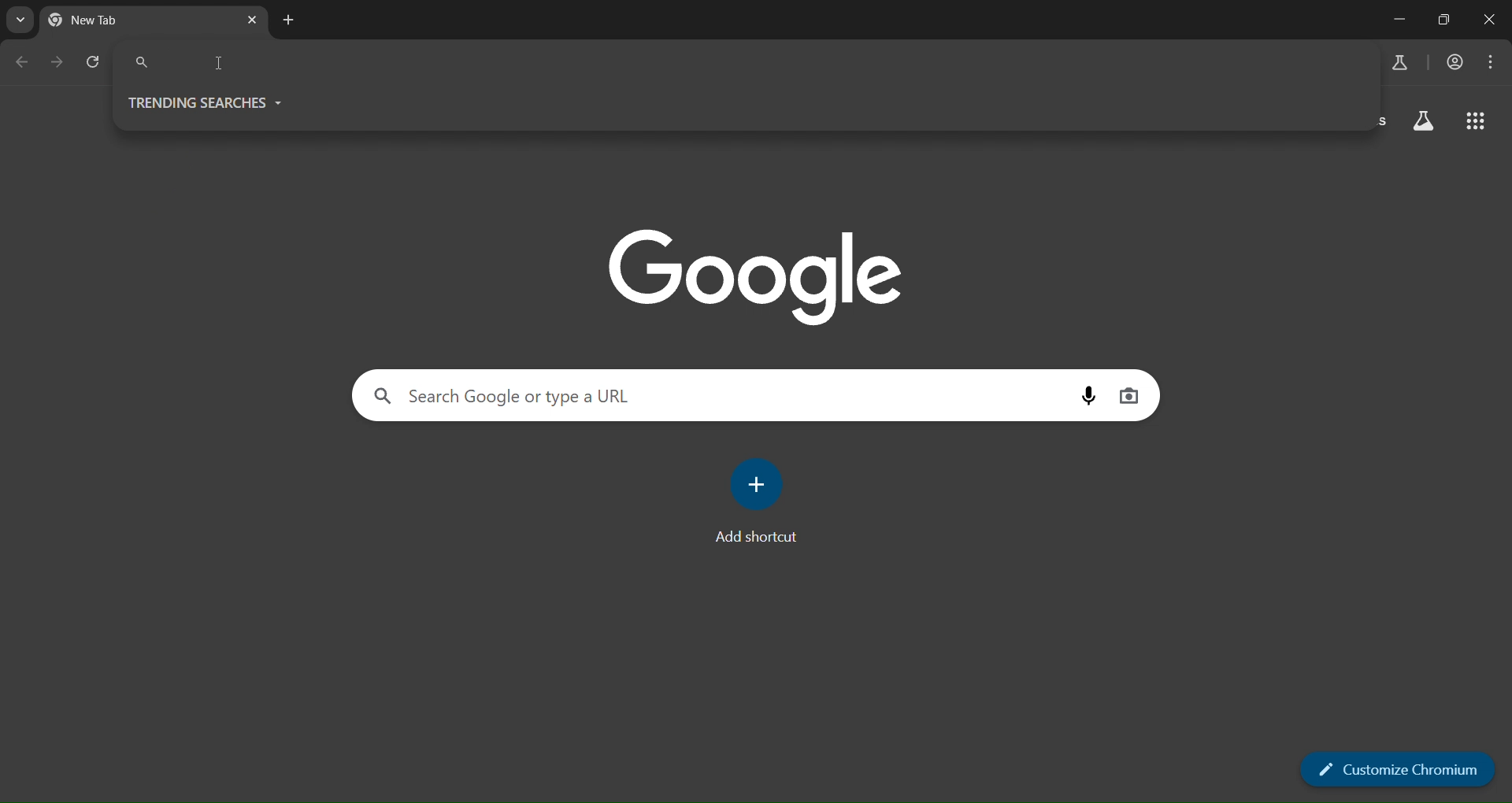 The width and height of the screenshot is (1512, 803). Describe the element at coordinates (24, 61) in the screenshot. I see `go back one page` at that location.